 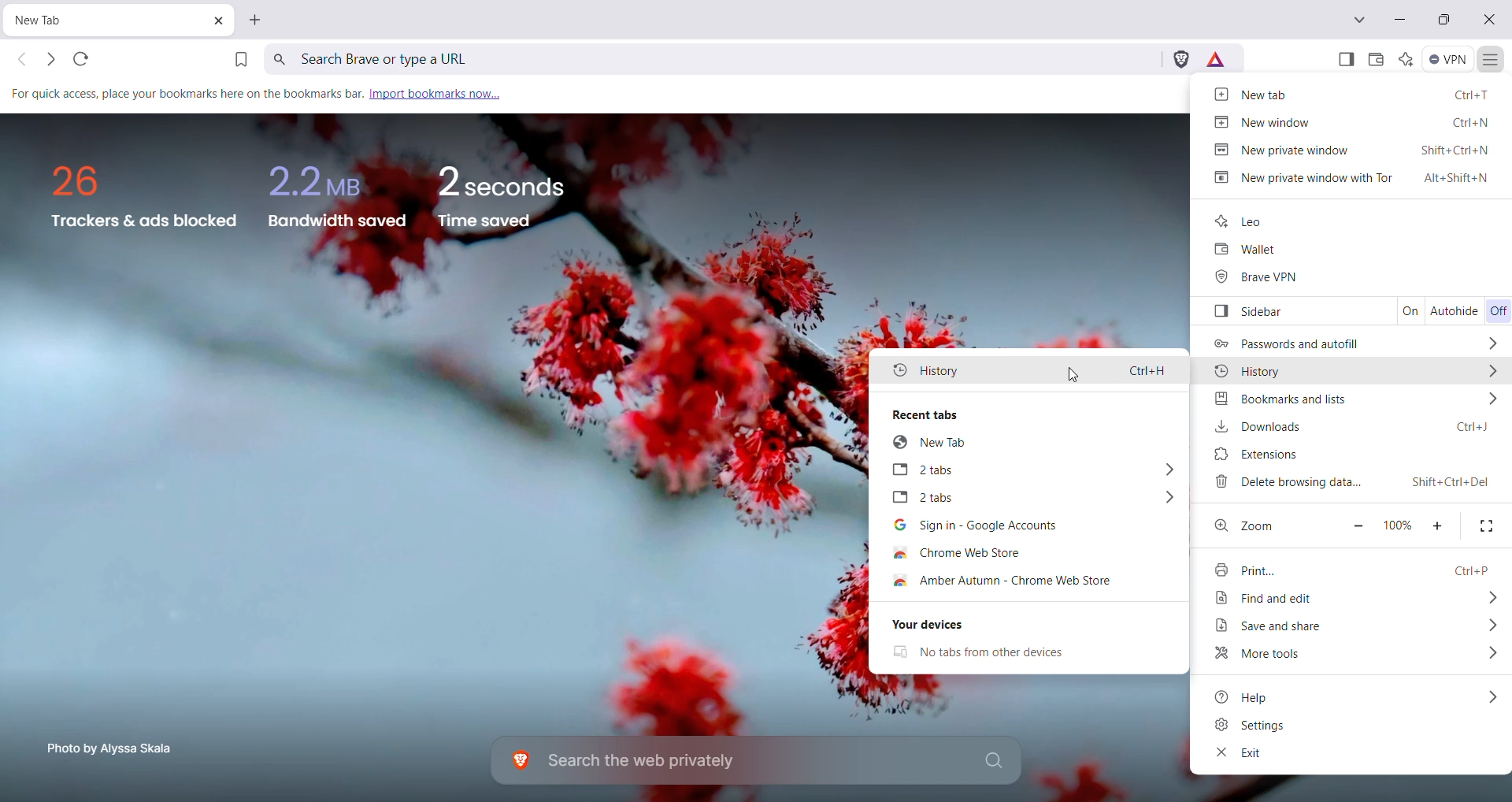 What do you see at coordinates (1354, 568) in the screenshot?
I see `Print` at bounding box center [1354, 568].